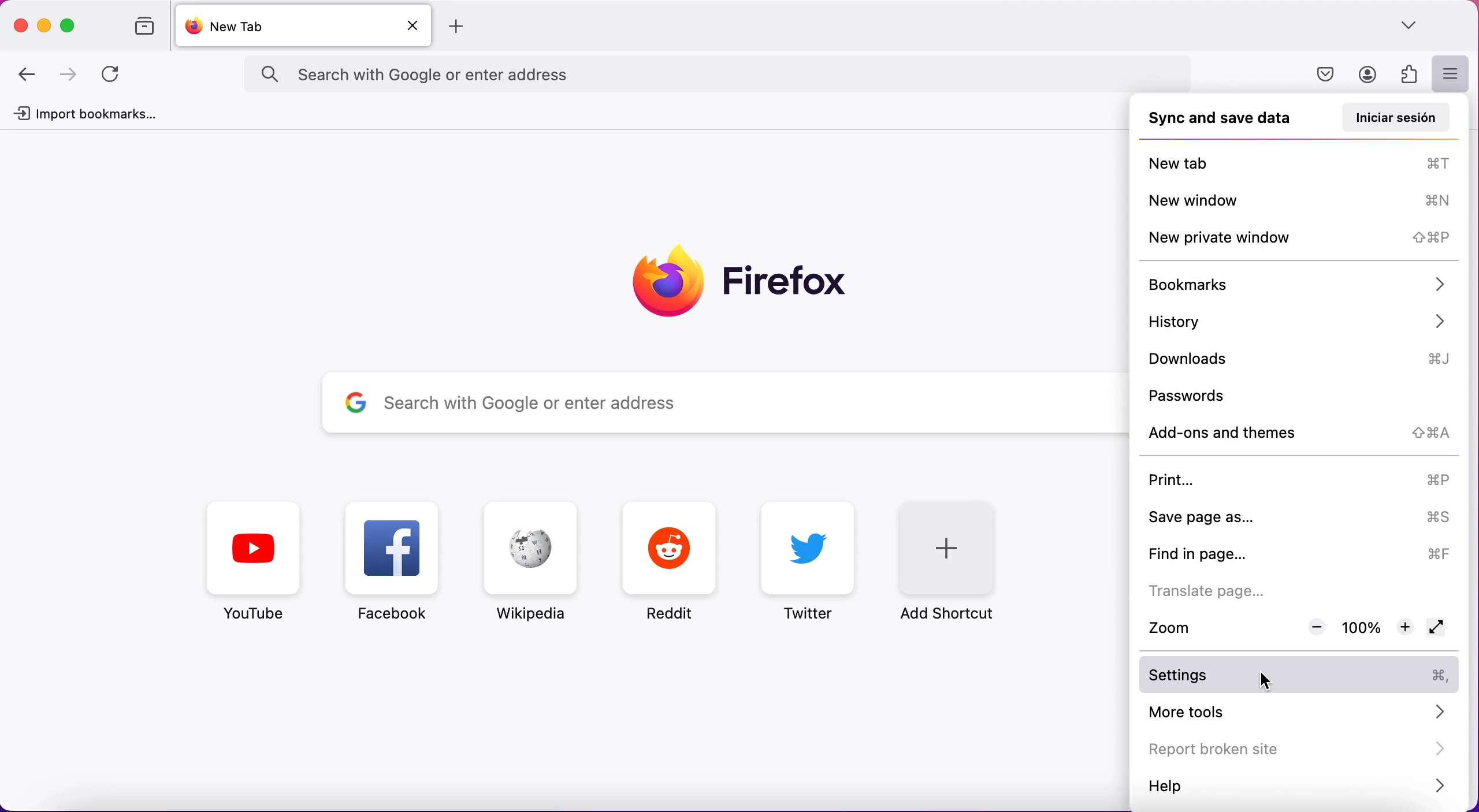 This screenshot has height=812, width=1479. Describe the element at coordinates (1450, 75) in the screenshot. I see `open application menu` at that location.